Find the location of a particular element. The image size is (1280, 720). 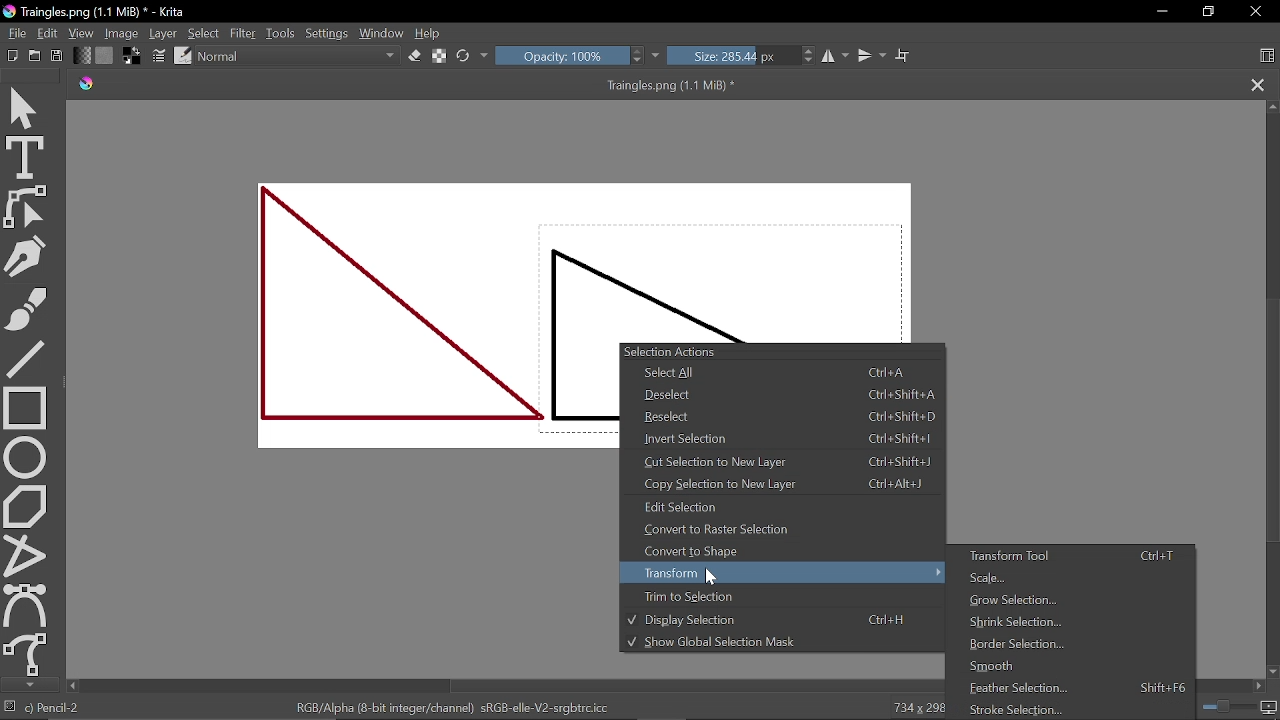

Background color is located at coordinates (134, 57).